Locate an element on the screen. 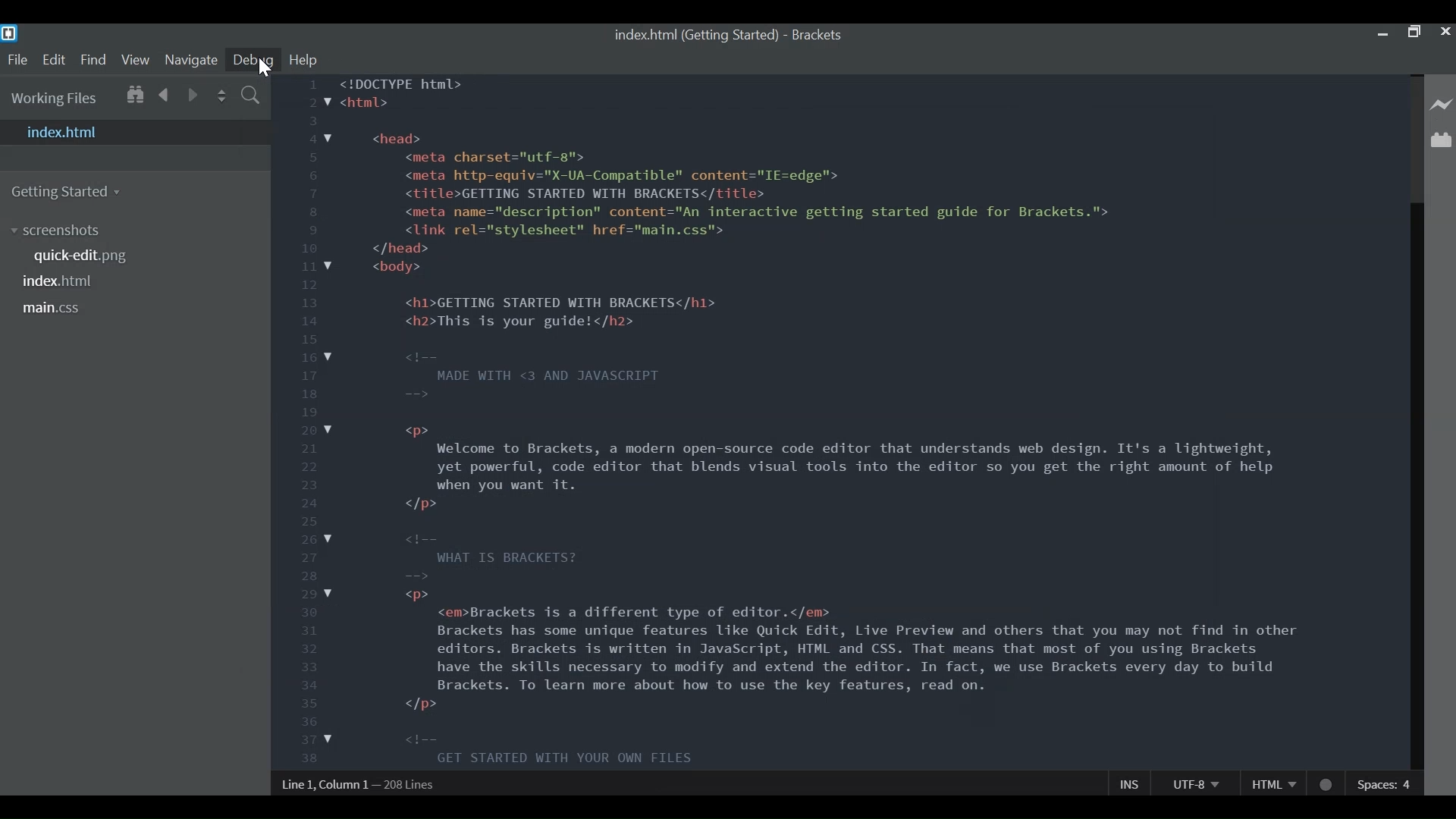 This screenshot has height=819, width=1456. Brackets Desktop icon is located at coordinates (9, 33).